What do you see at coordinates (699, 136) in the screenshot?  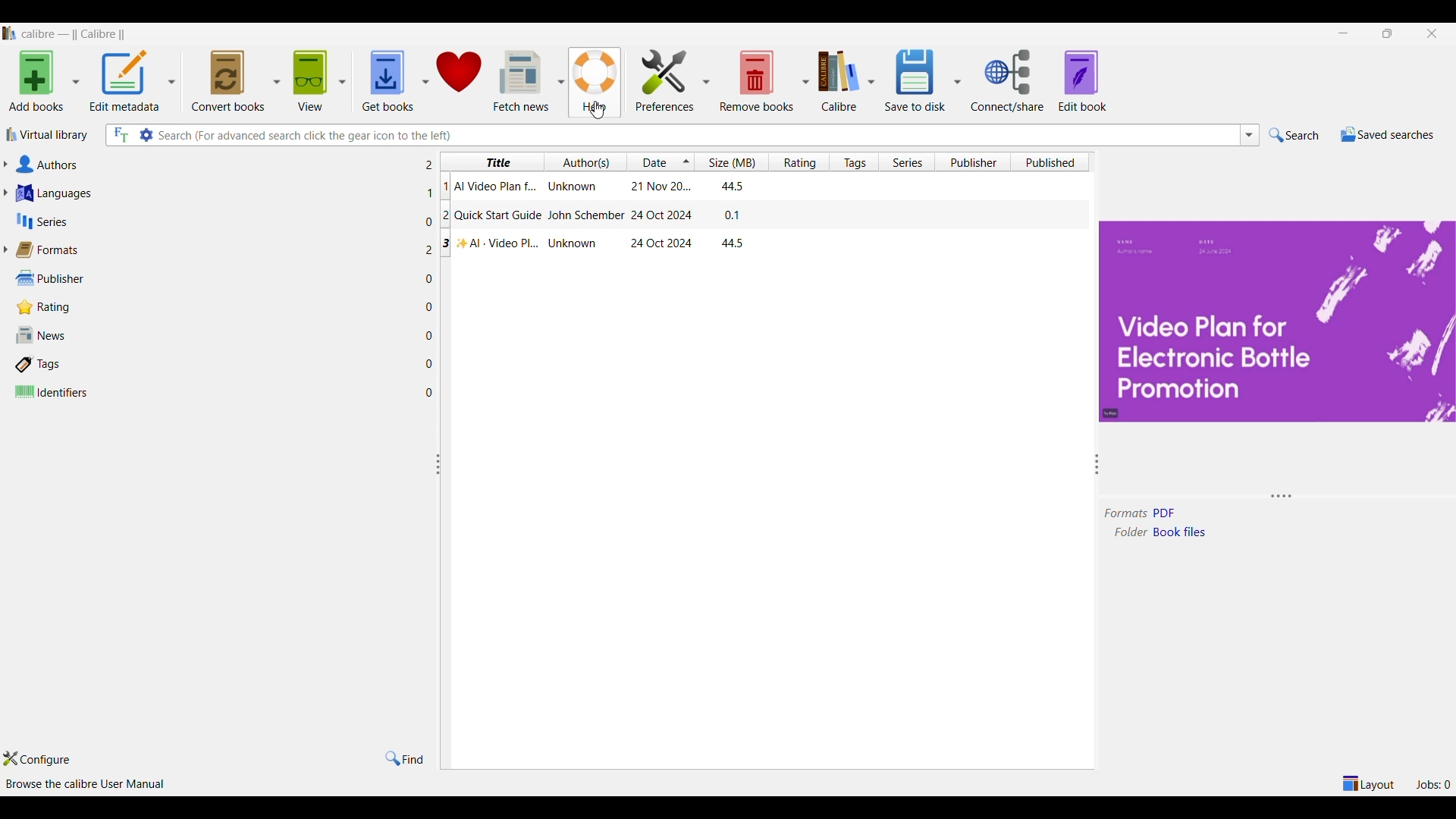 I see `Type in search` at bounding box center [699, 136].